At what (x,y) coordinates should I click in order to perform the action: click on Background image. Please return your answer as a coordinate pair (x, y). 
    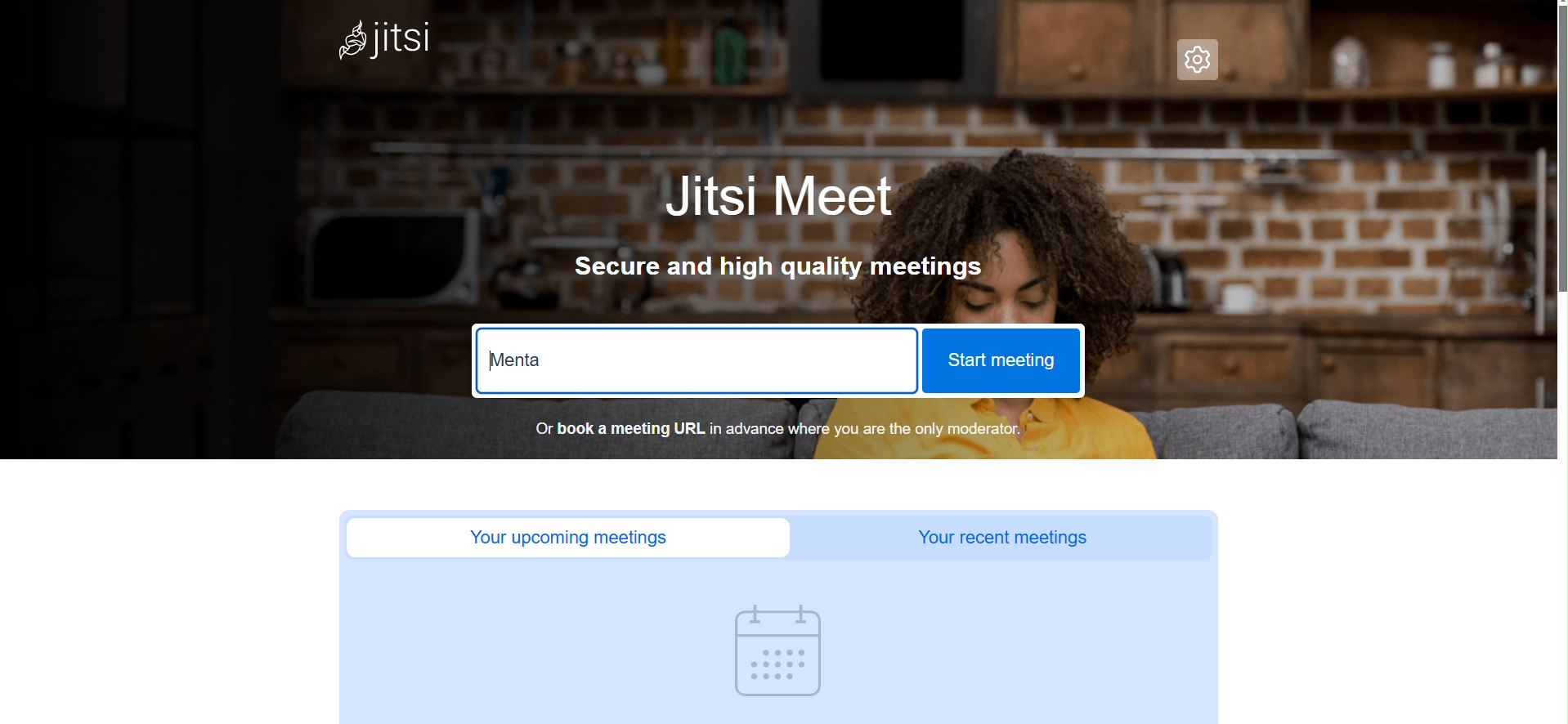
    Looking at the image, I should click on (1328, 274).